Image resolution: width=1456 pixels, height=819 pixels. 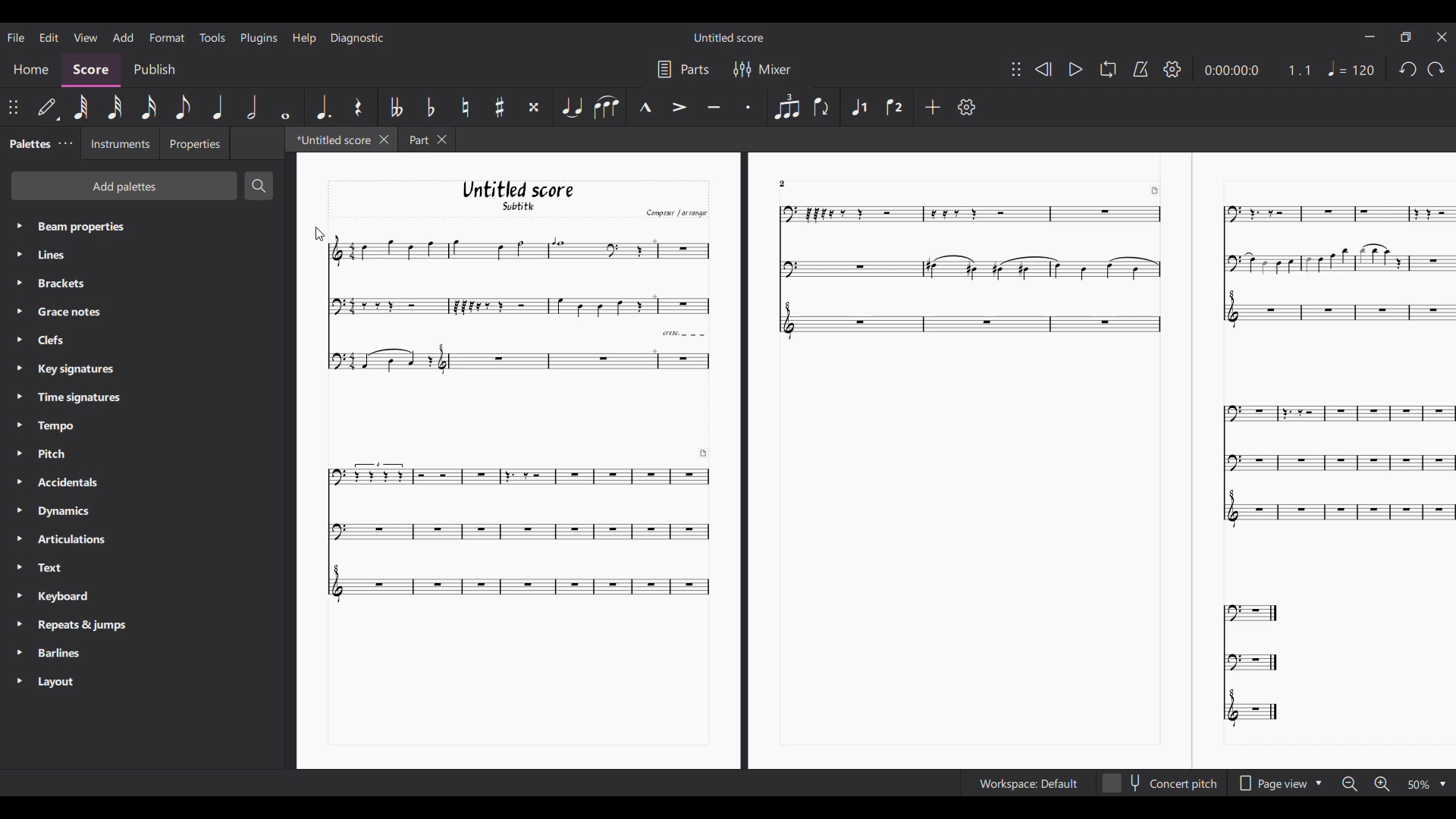 I want to click on Zoom options, so click(x=1418, y=785).